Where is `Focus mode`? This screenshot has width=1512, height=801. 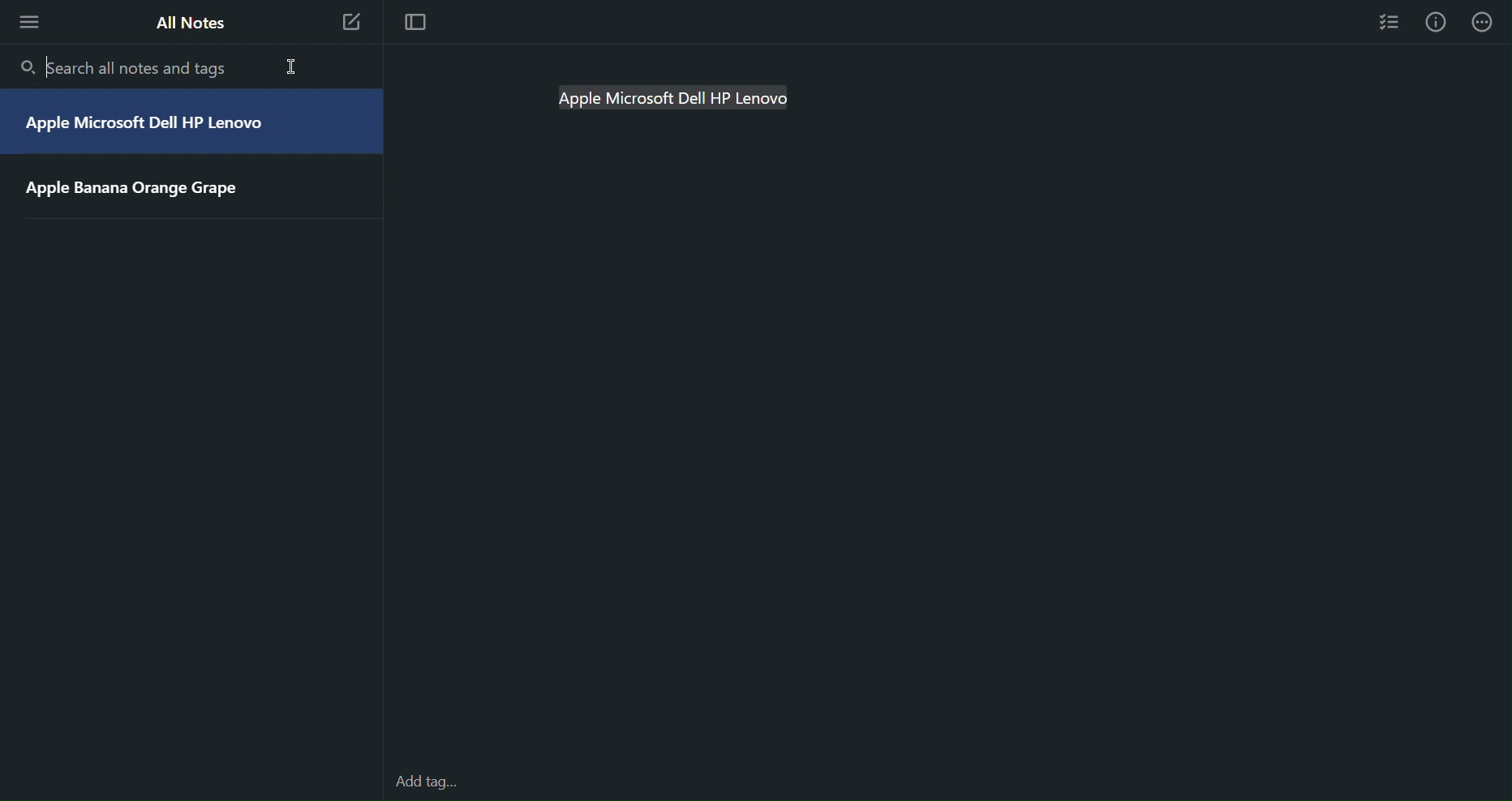
Focus mode is located at coordinates (416, 26).